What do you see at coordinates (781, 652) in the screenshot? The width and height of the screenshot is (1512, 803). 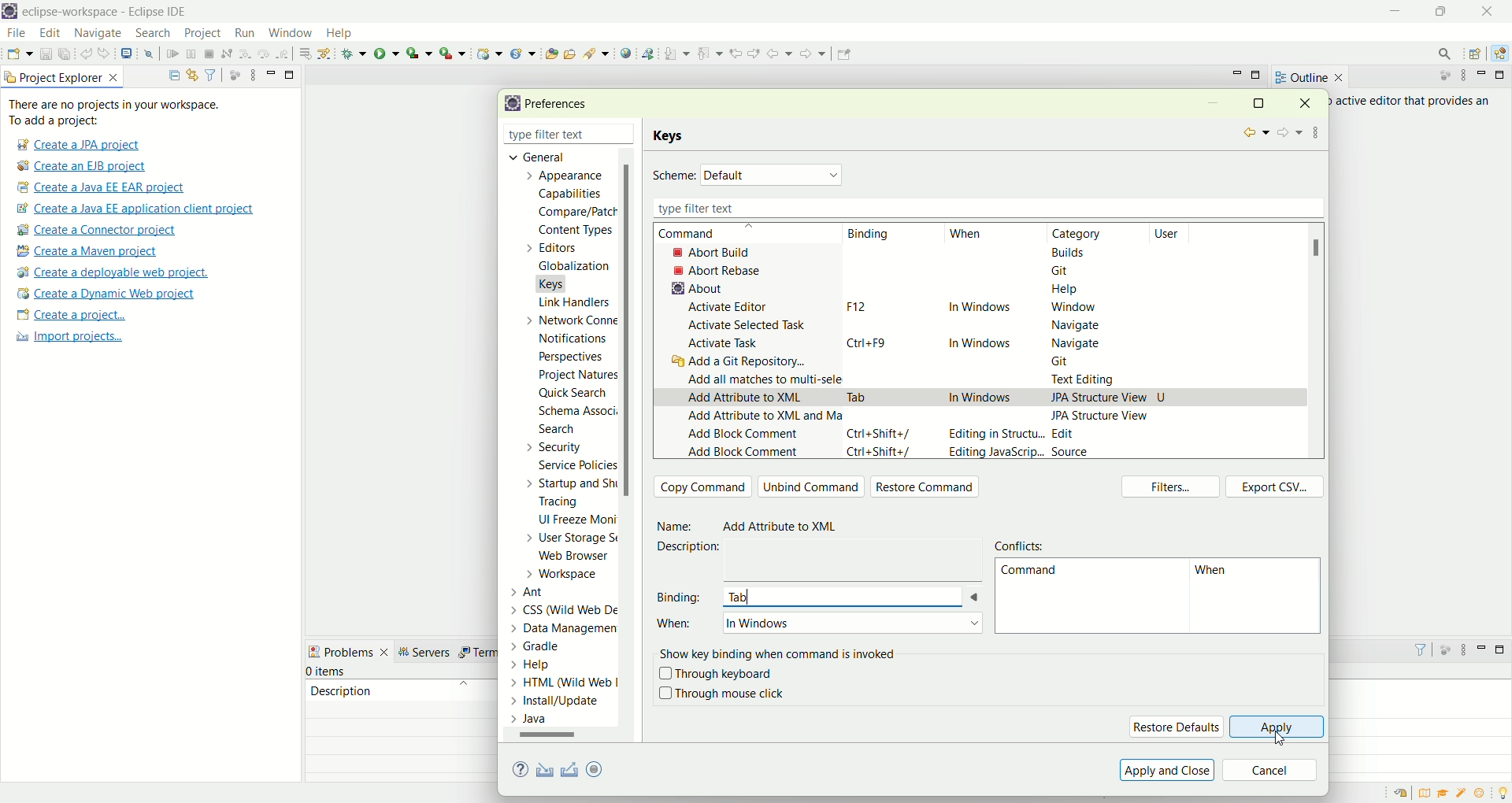 I see `show key binding when command is involved` at bounding box center [781, 652].